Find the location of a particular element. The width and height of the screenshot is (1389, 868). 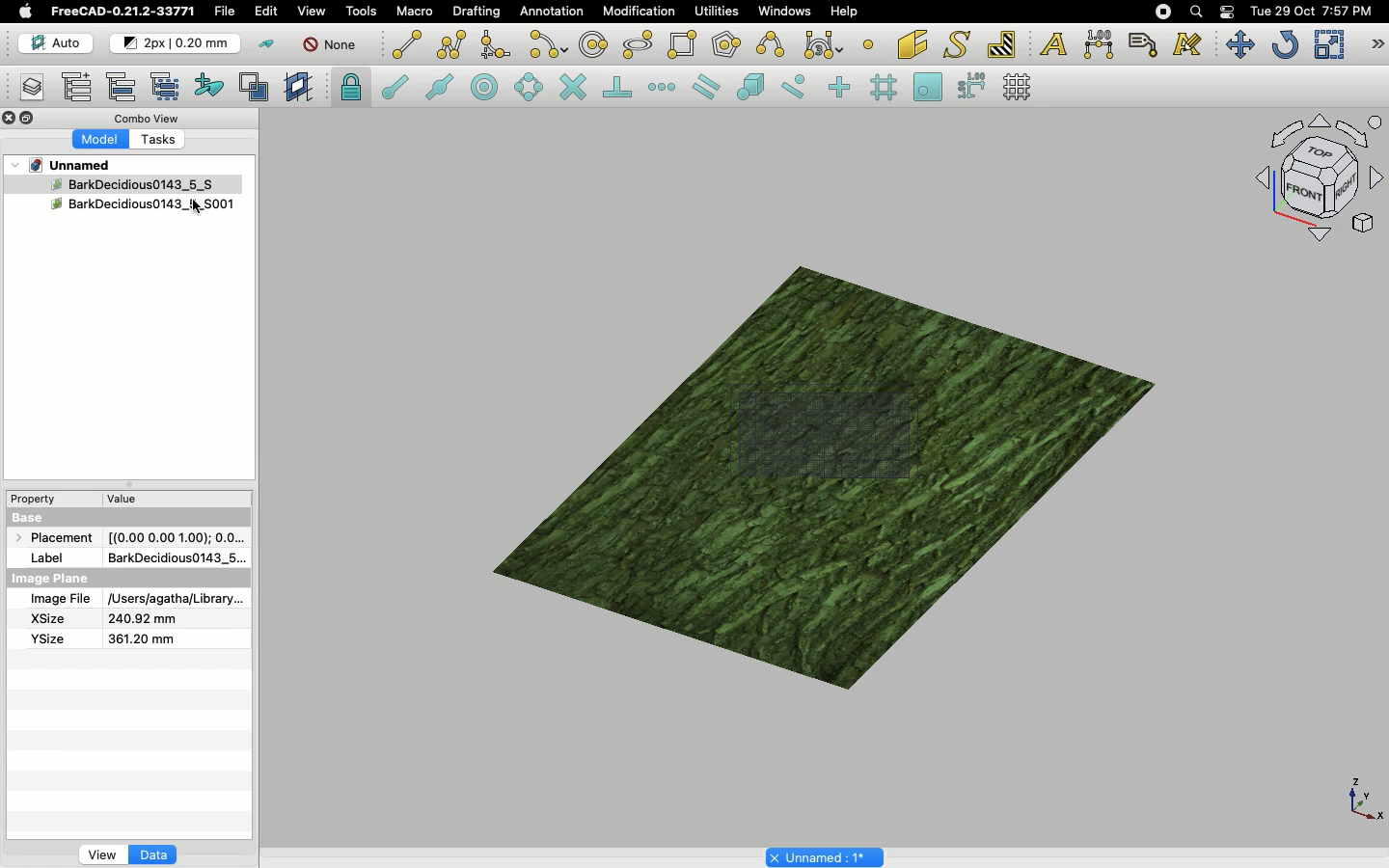

Add to construction group is located at coordinates (210, 84).